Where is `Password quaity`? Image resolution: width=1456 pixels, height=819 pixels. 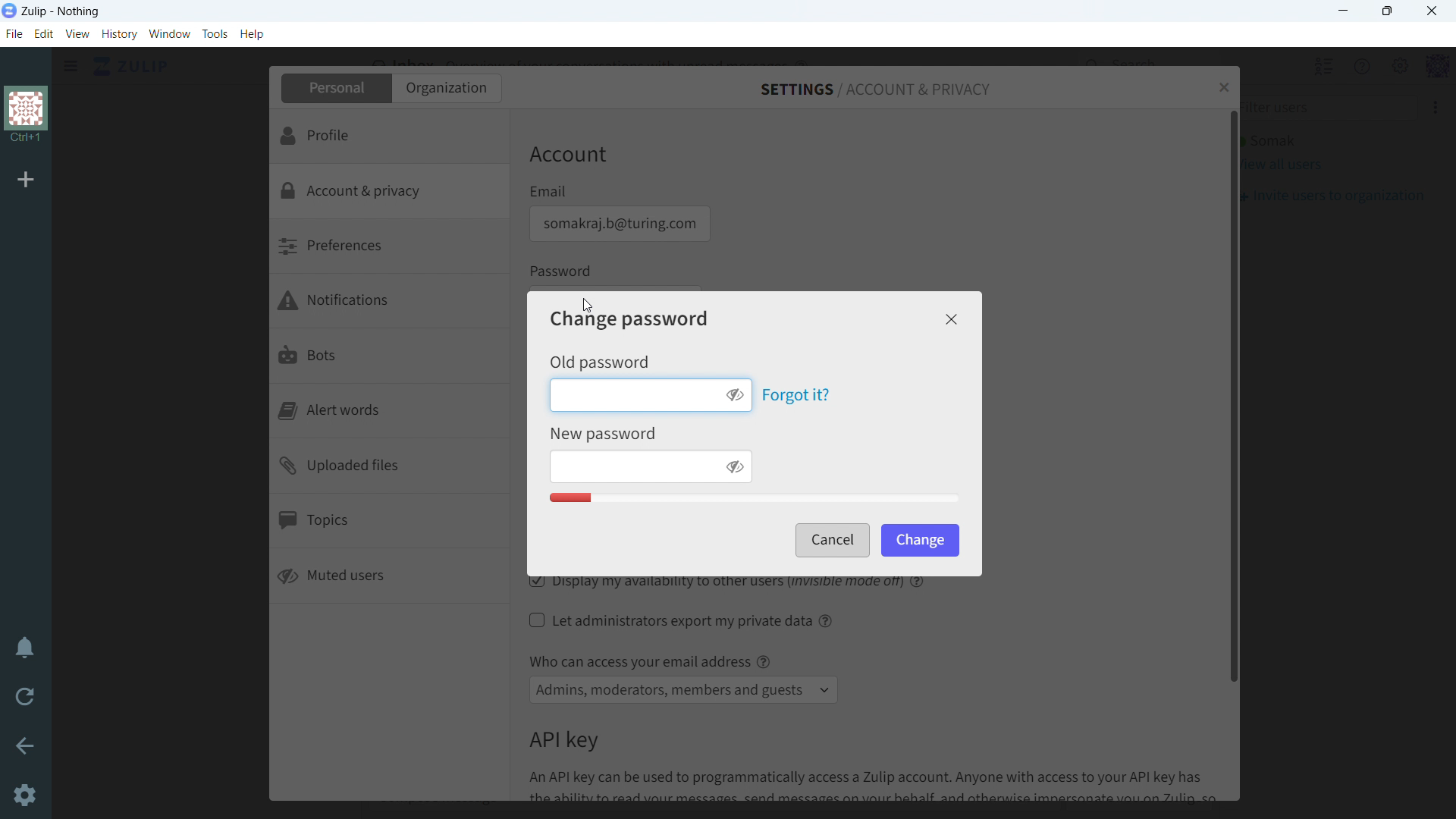 Password quaity is located at coordinates (755, 499).